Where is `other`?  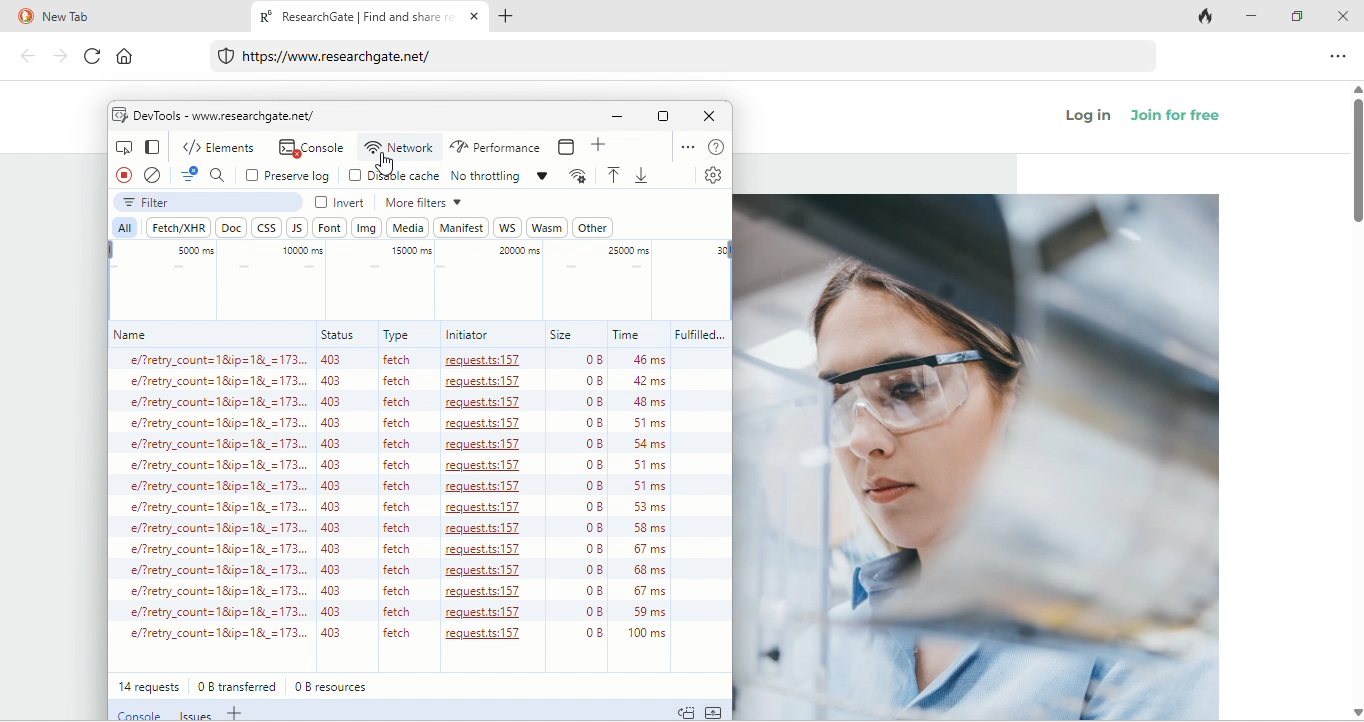
other is located at coordinates (592, 228).